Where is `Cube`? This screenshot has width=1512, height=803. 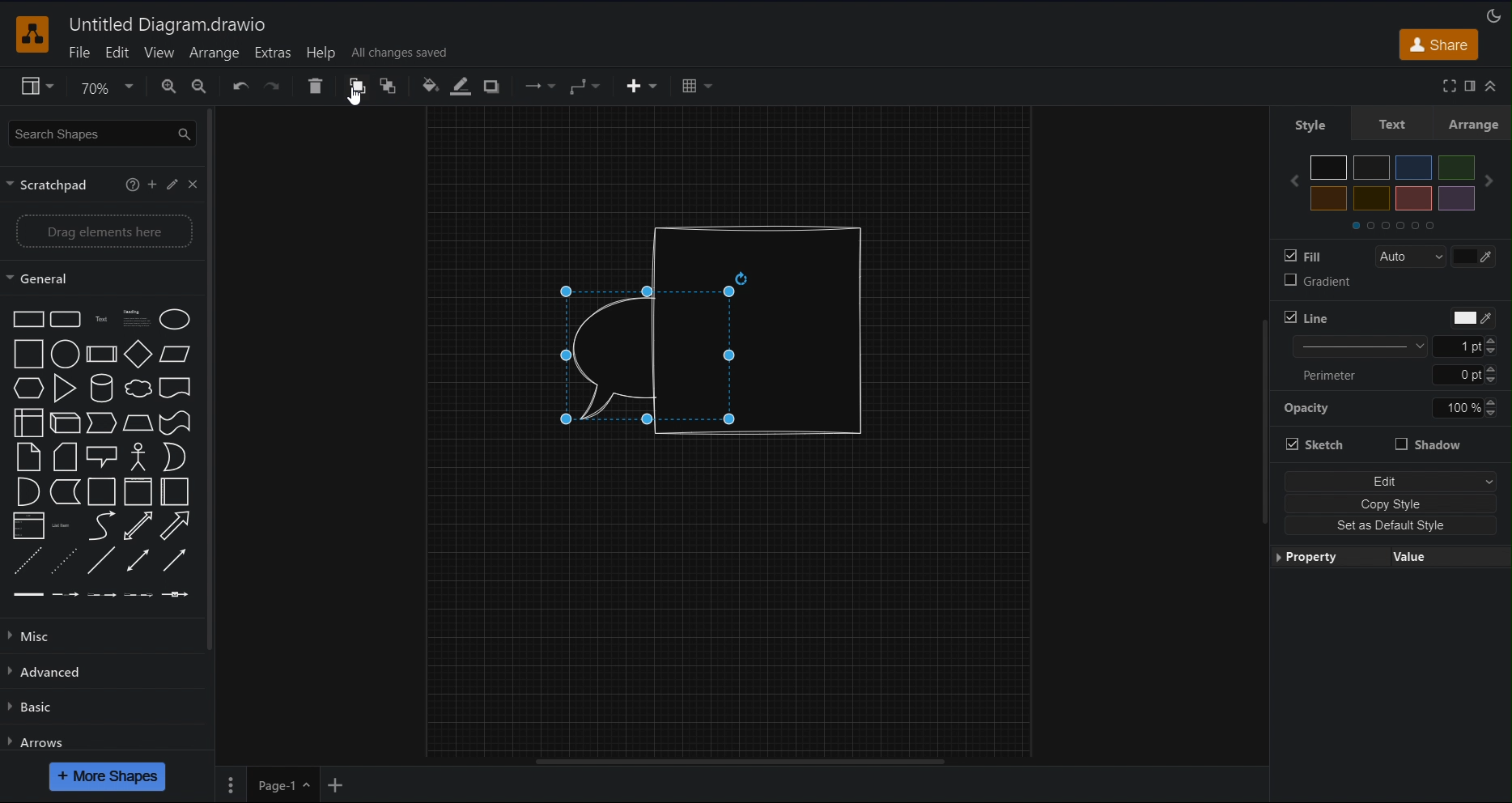
Cube is located at coordinates (64, 423).